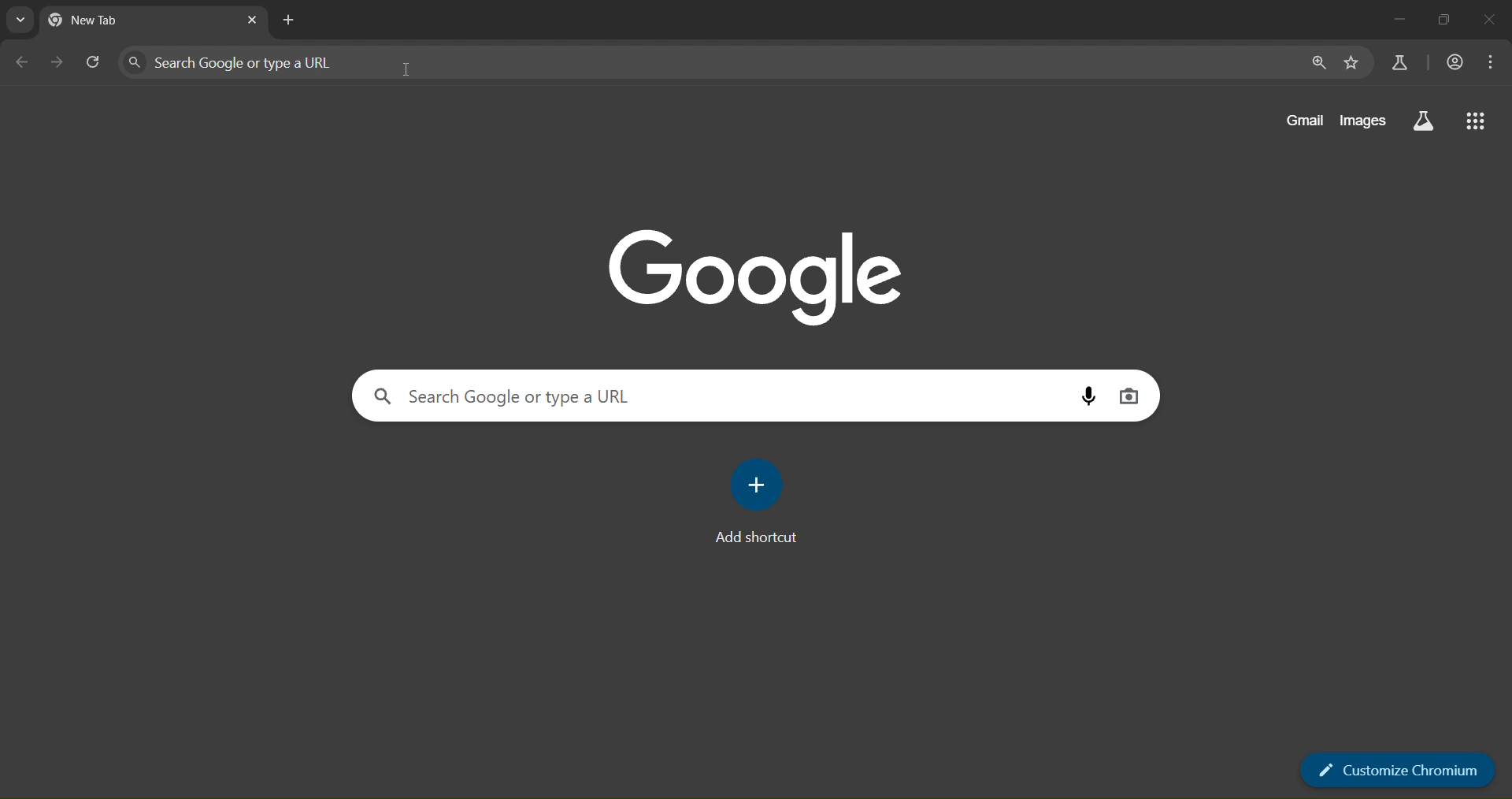  What do you see at coordinates (1363, 121) in the screenshot?
I see `images` at bounding box center [1363, 121].